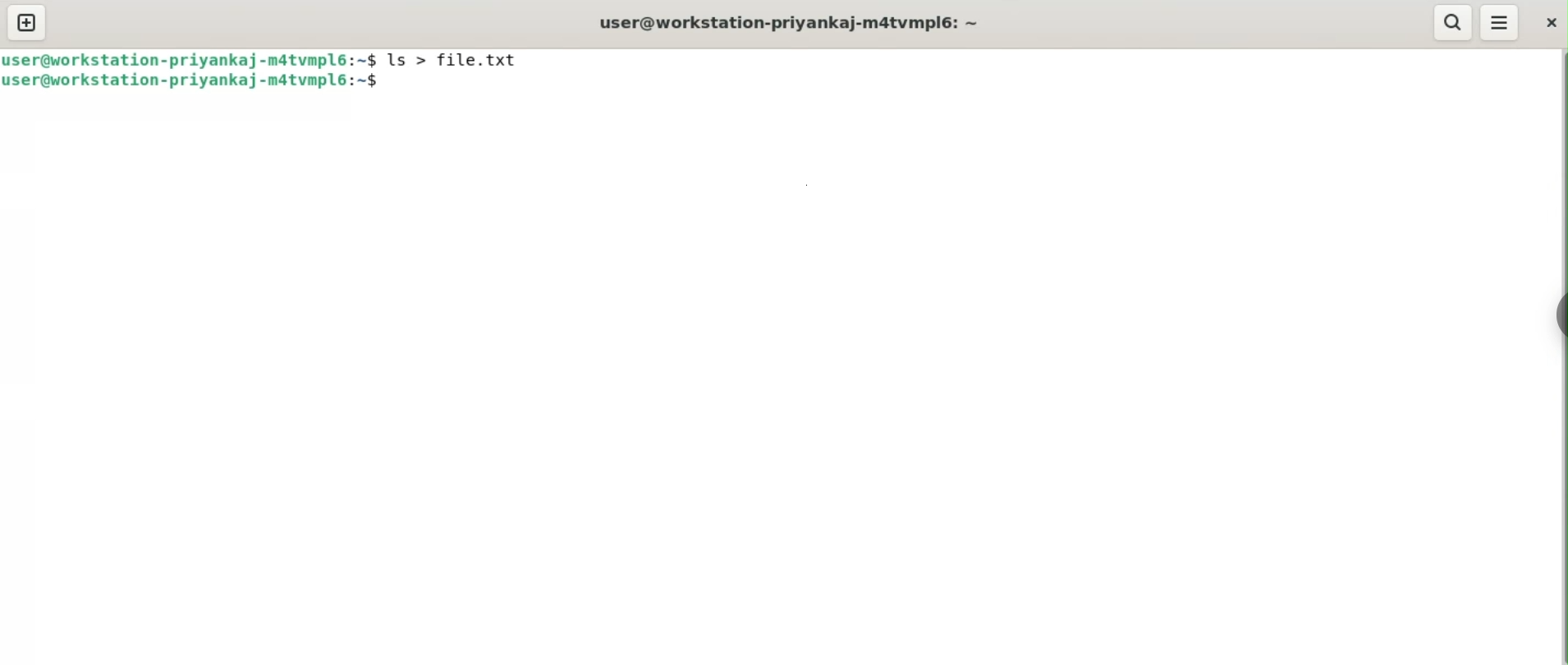 The width and height of the screenshot is (1568, 665). Describe the element at coordinates (1500, 23) in the screenshot. I see `menu` at that location.